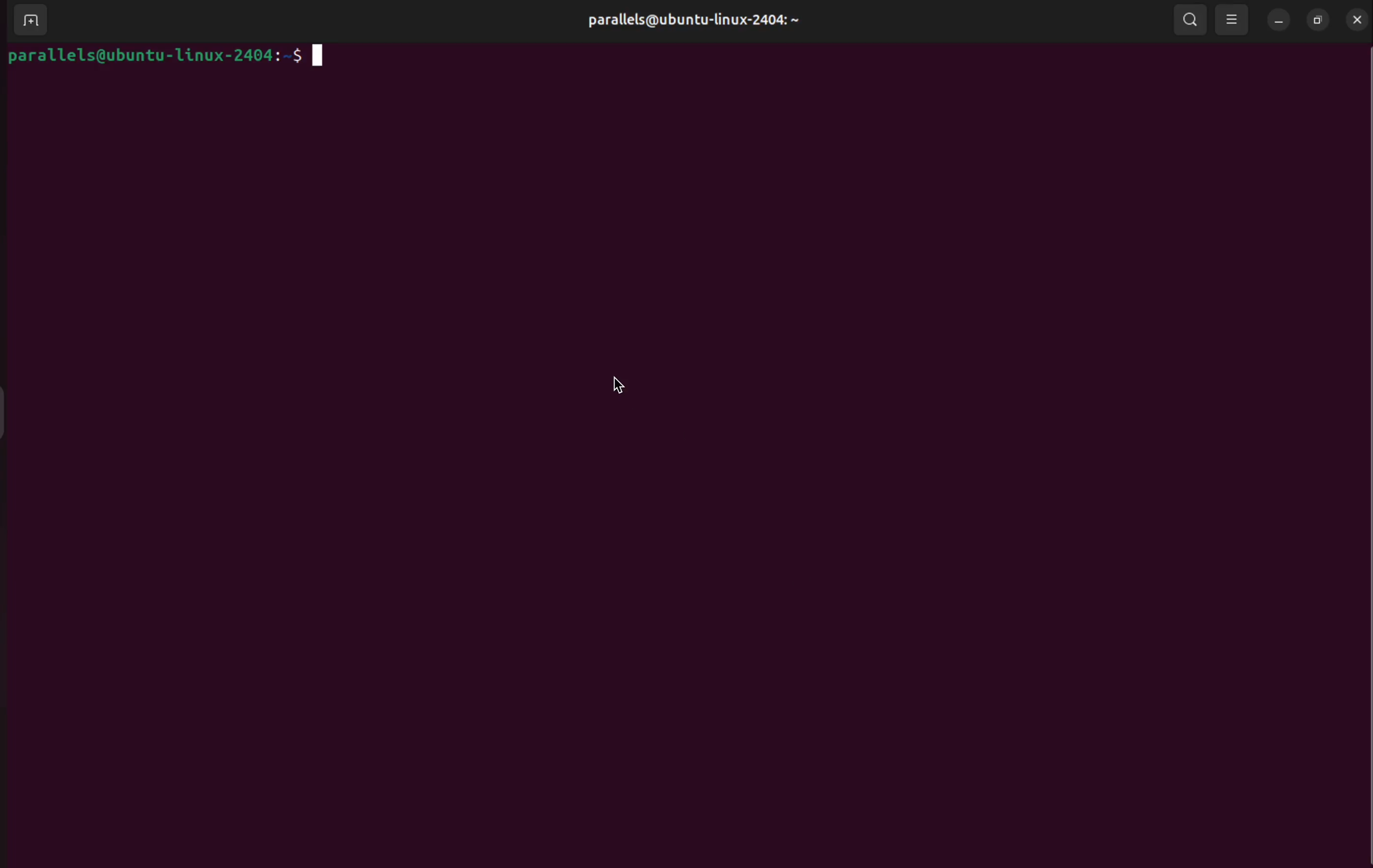 The height and width of the screenshot is (868, 1373). I want to click on parallels@ubuntu-linux-2404: ~, so click(701, 25).